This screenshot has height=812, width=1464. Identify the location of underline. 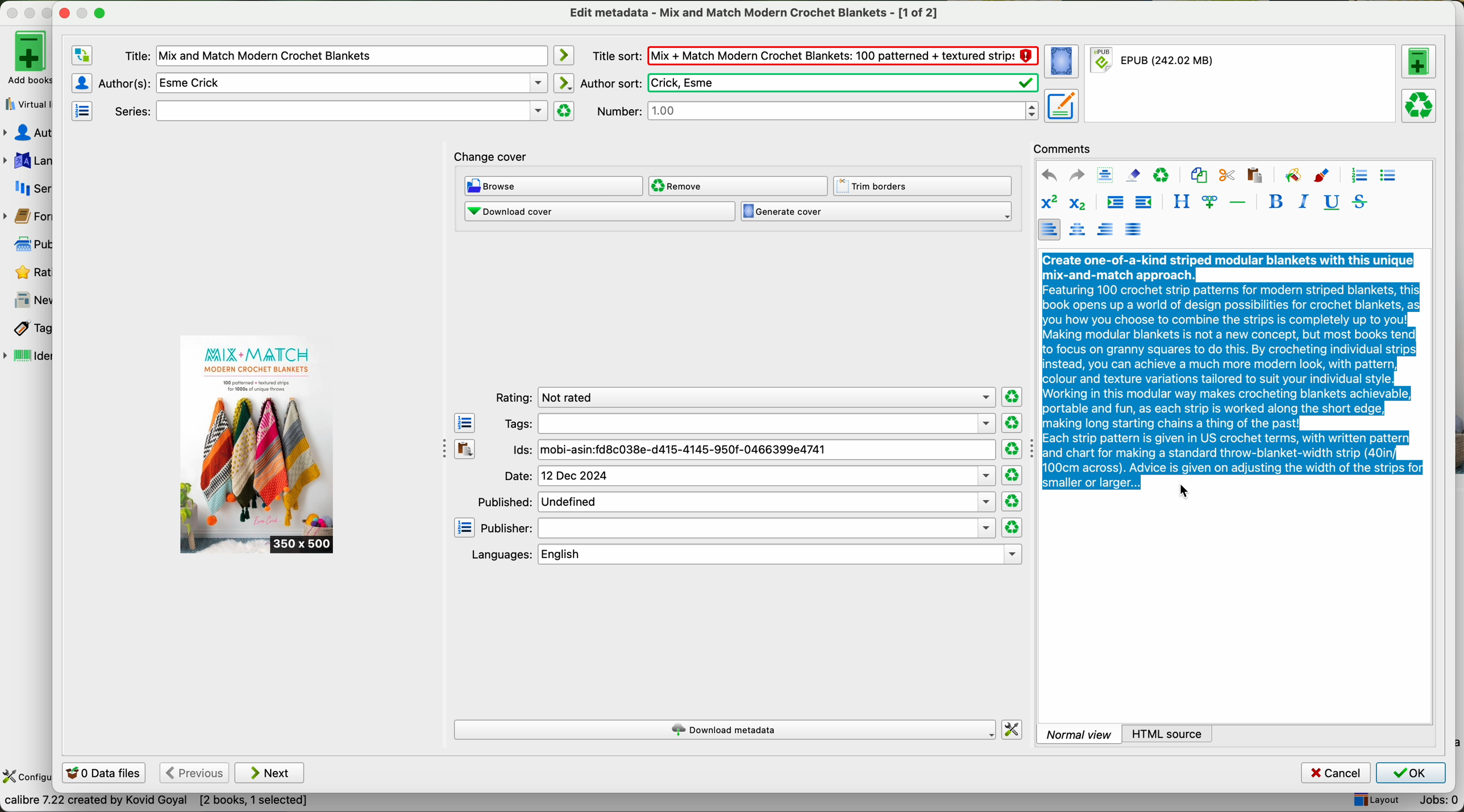
(1330, 203).